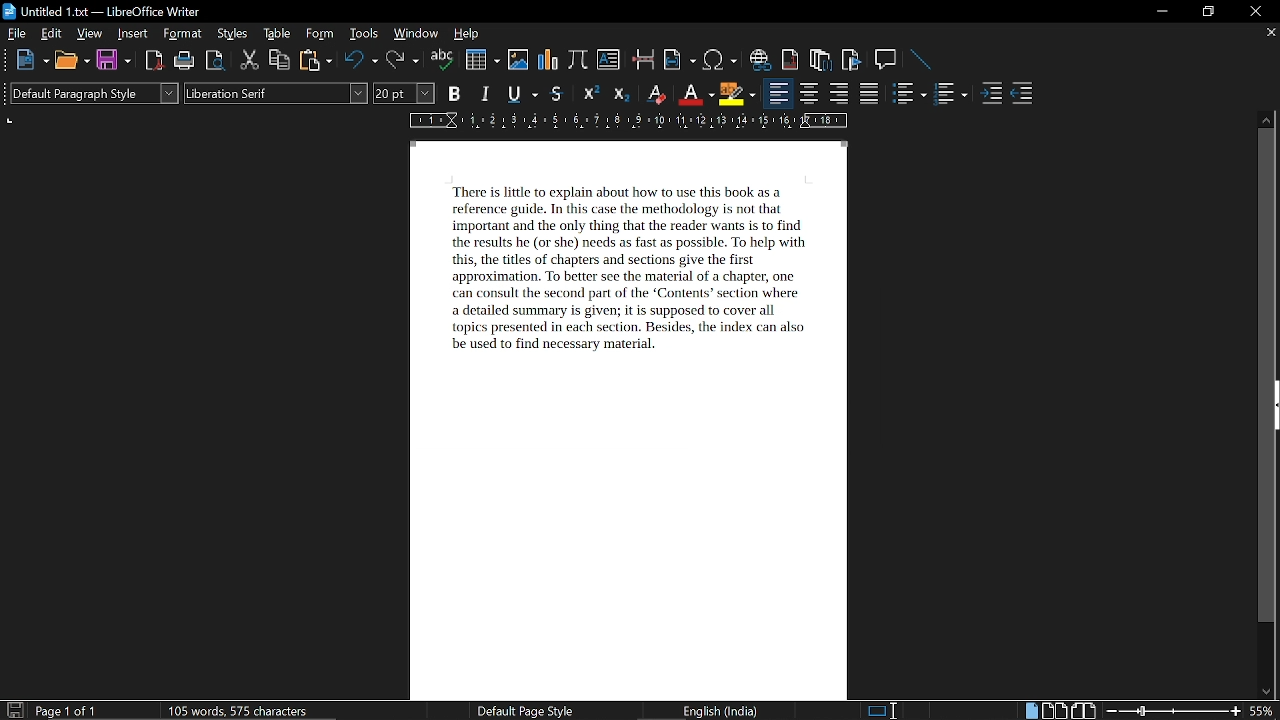  I want to click on redo, so click(403, 61).